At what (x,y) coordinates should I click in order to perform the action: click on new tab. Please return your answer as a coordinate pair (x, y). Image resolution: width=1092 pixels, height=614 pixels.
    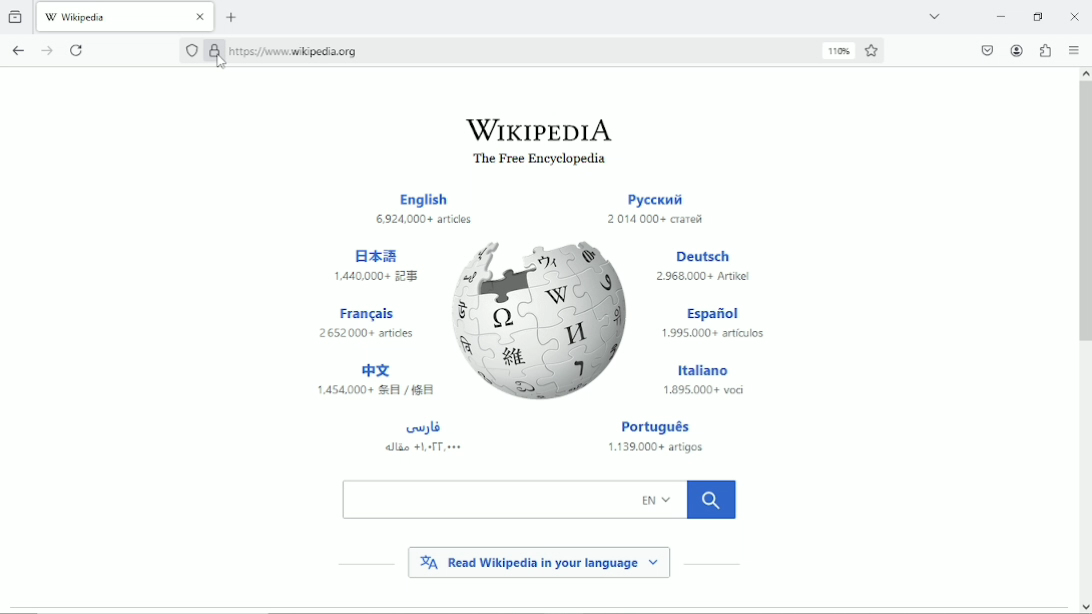
    Looking at the image, I should click on (232, 17).